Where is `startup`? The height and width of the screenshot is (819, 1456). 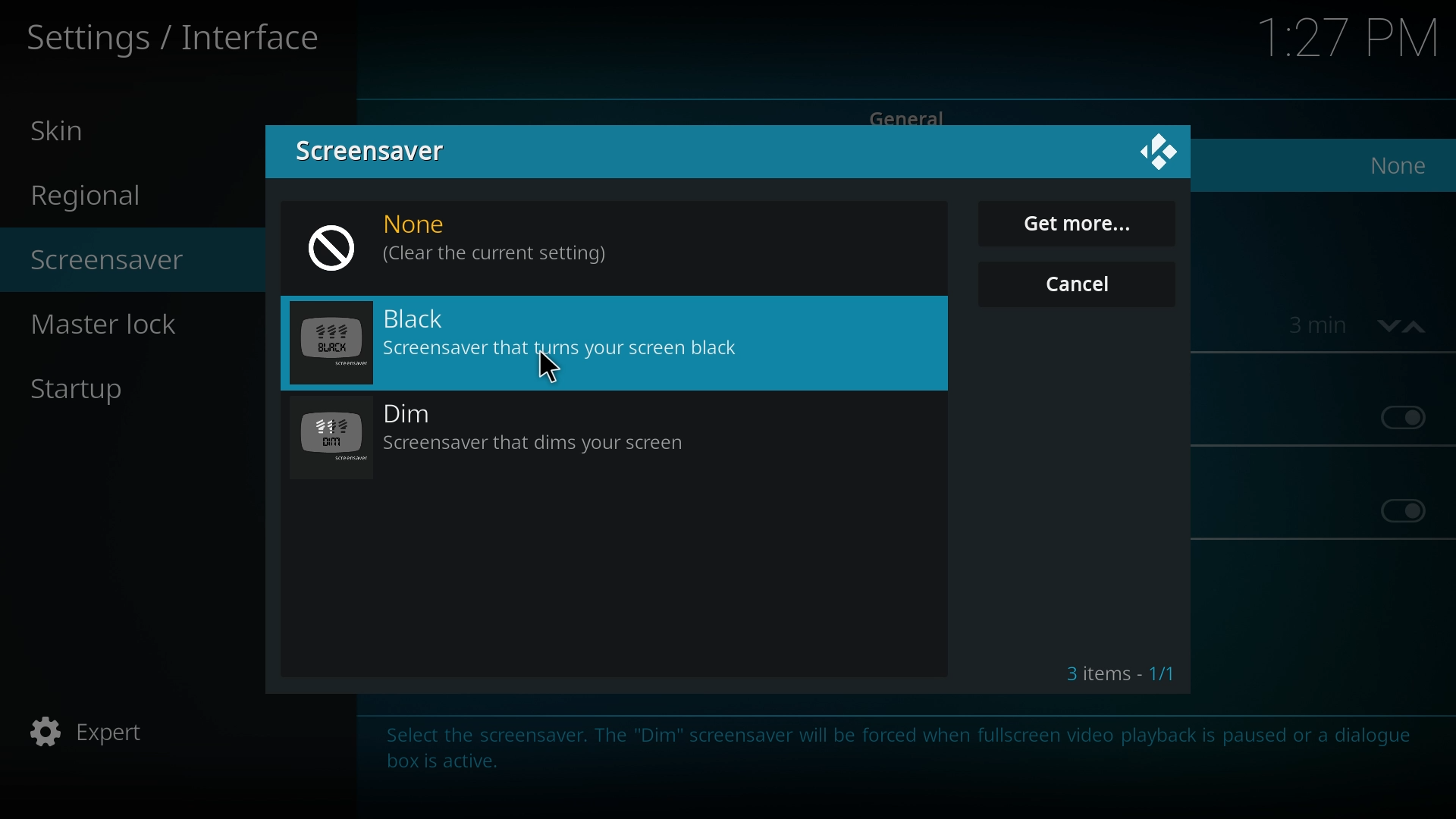 startup is located at coordinates (134, 388).